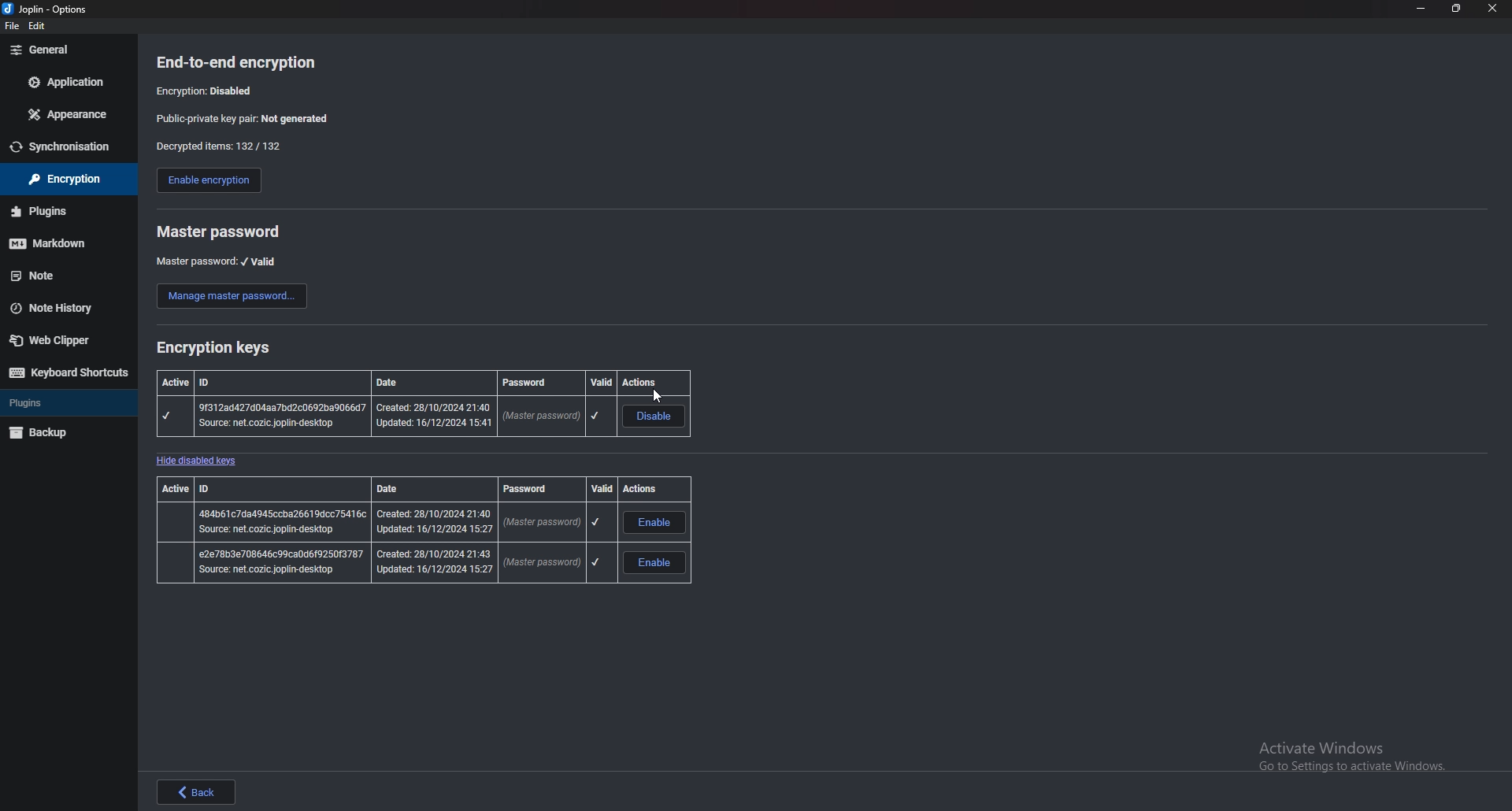  Describe the element at coordinates (603, 489) in the screenshot. I see `valid` at that location.